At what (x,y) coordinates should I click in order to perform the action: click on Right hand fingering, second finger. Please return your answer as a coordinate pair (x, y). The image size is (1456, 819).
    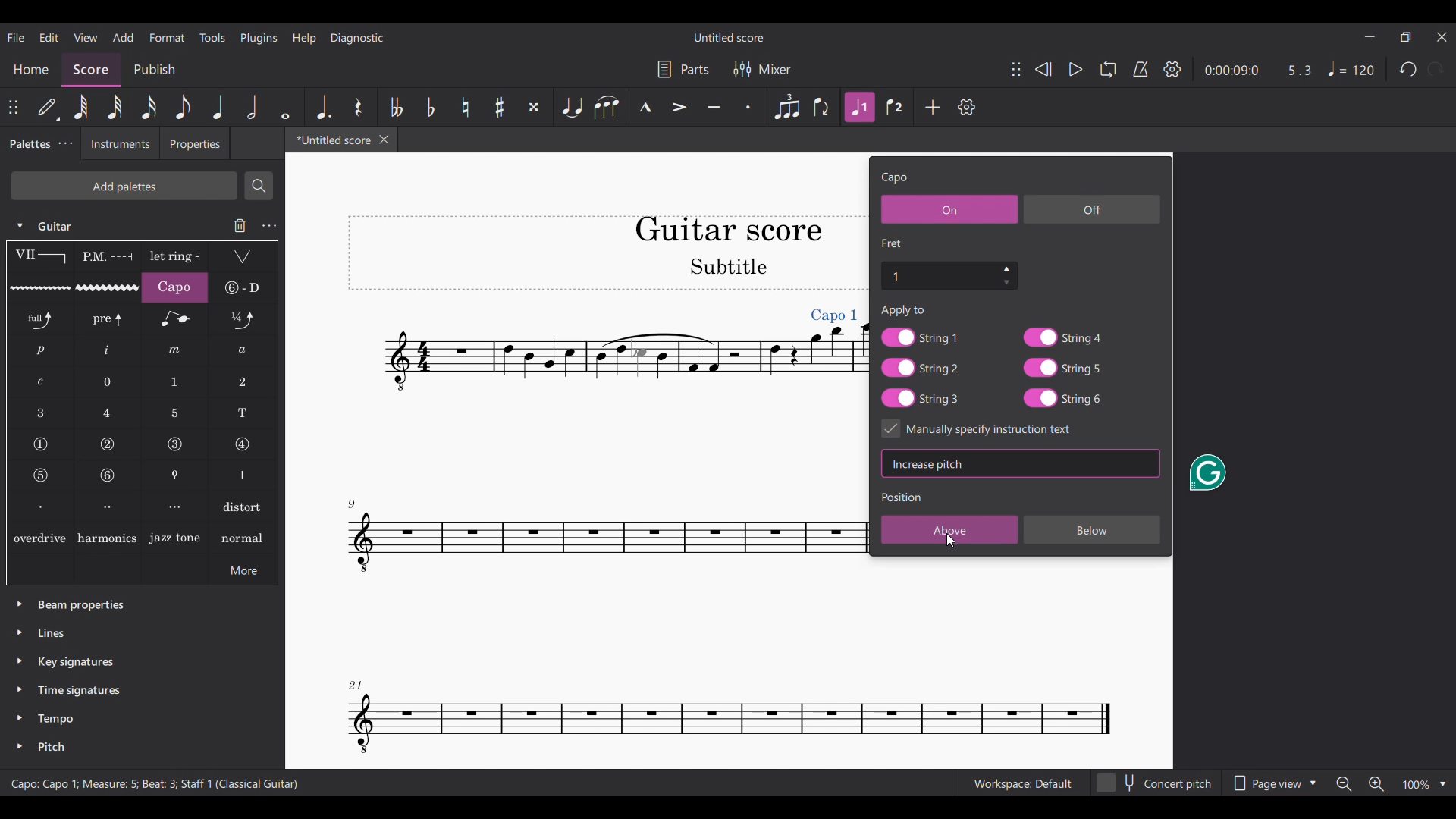
    Looking at the image, I should click on (108, 507).